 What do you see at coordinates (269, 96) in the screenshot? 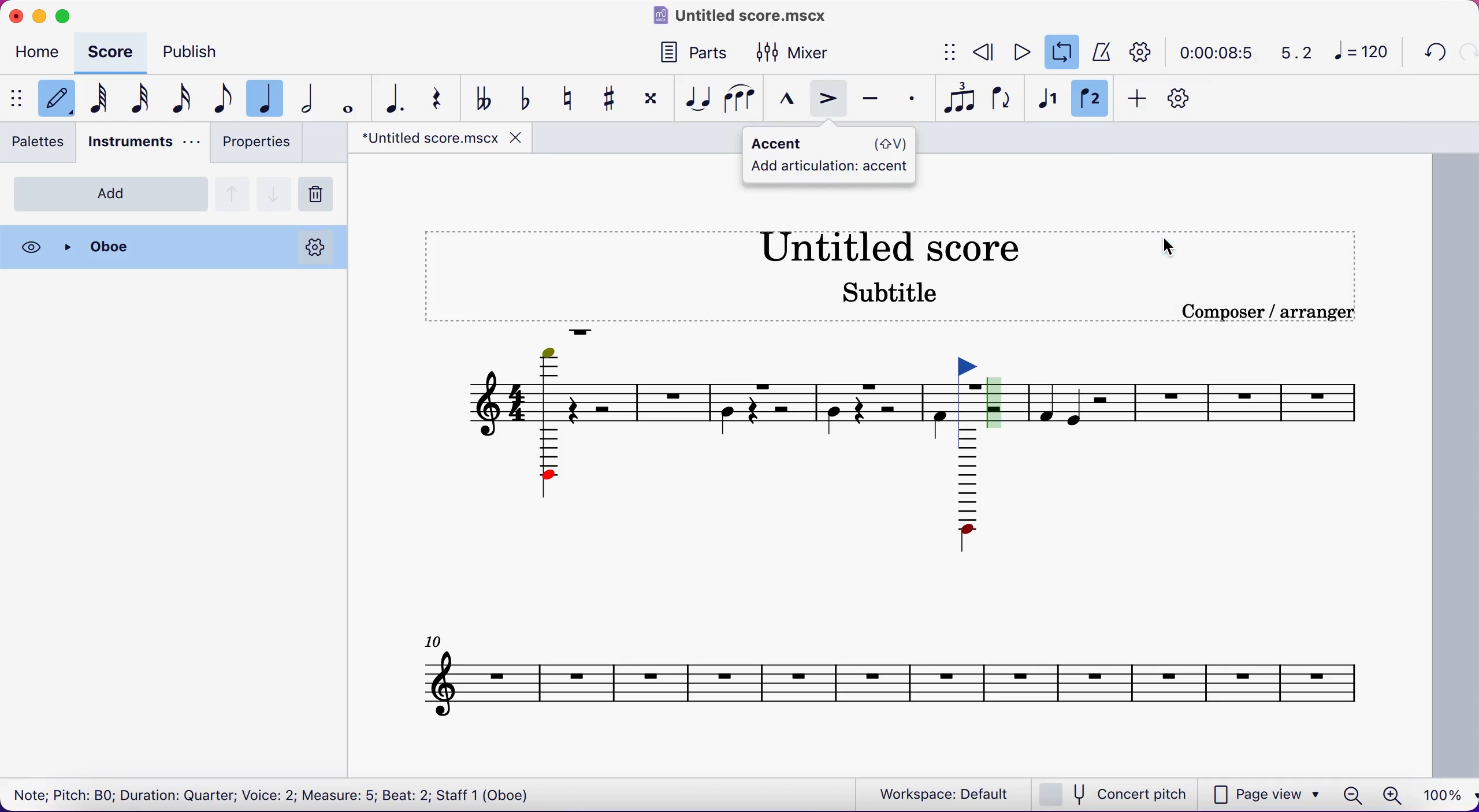
I see `quarter note` at bounding box center [269, 96].